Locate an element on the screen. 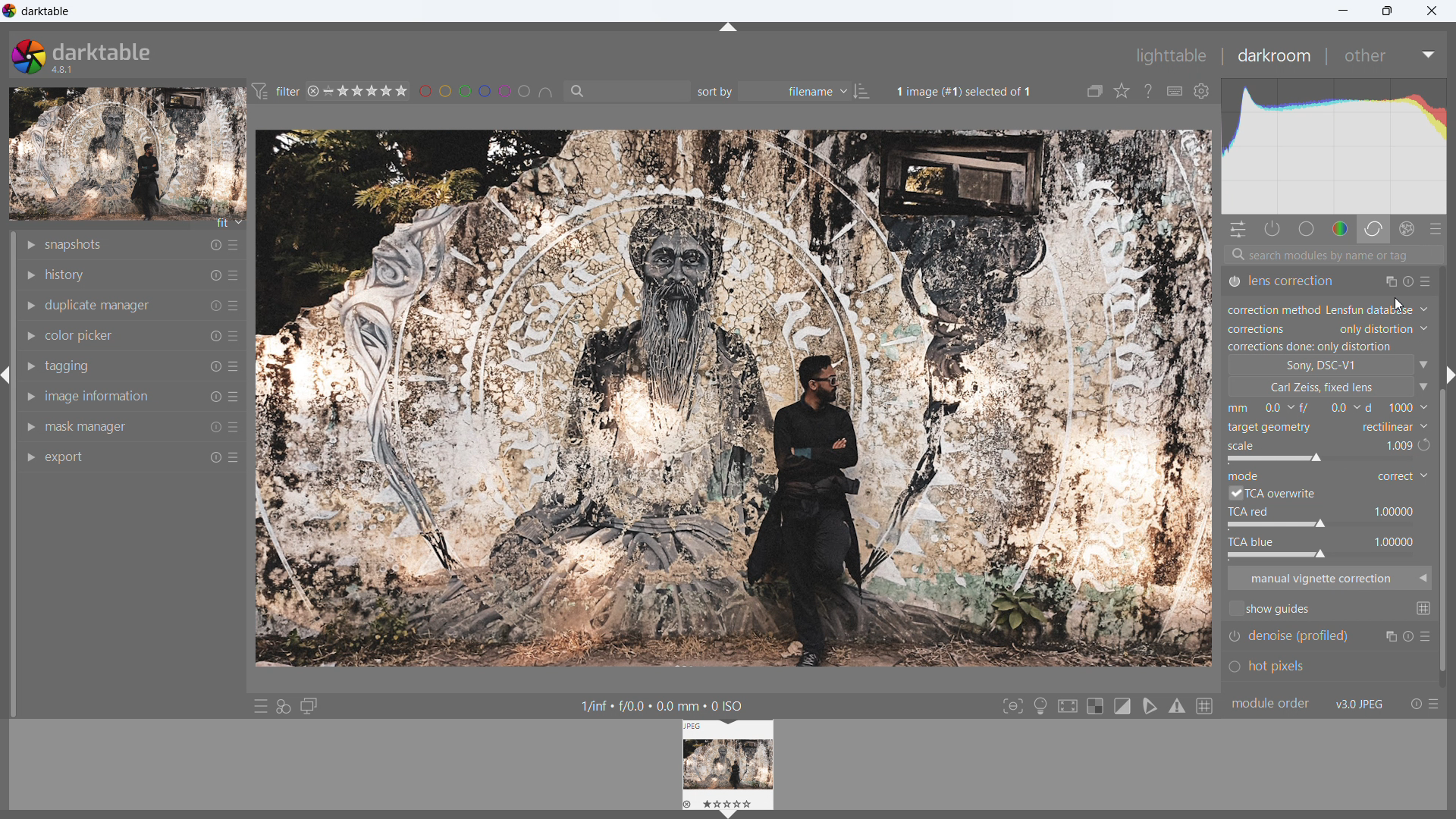  status changed is located at coordinates (1308, 347).